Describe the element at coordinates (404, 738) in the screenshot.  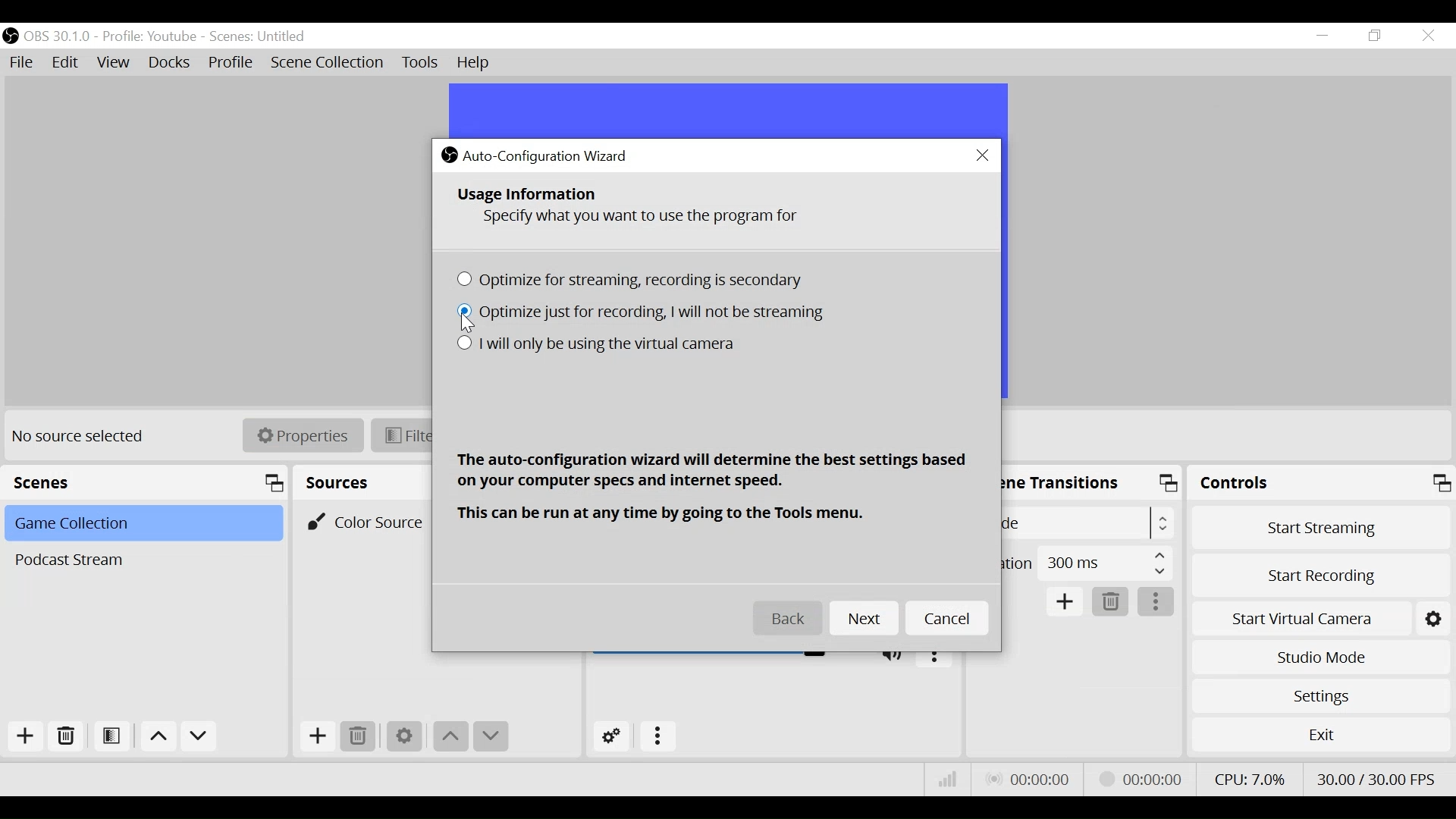
I see `Settings` at that location.